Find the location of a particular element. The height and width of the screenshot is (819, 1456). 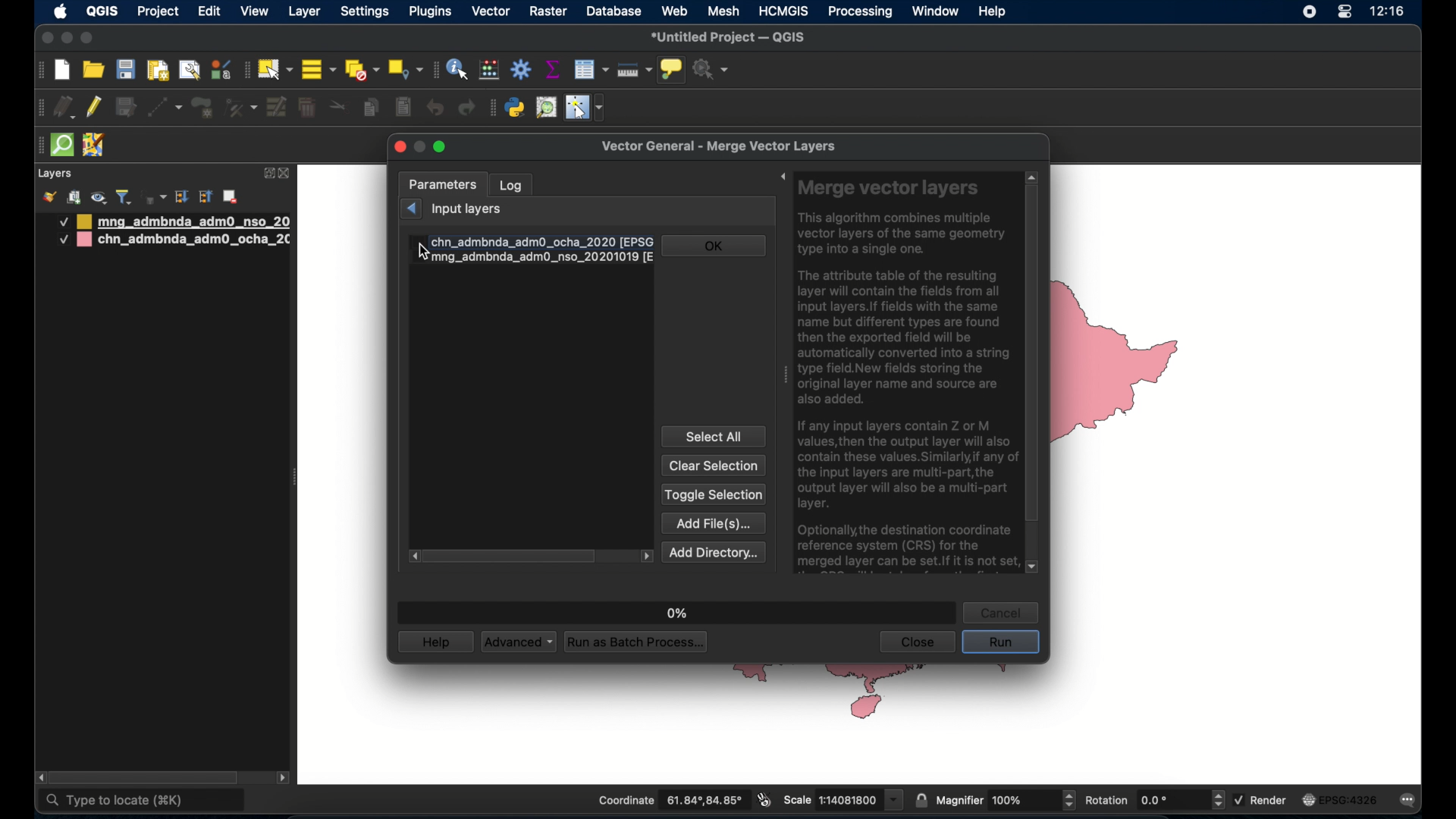

osm place search is located at coordinates (546, 108).